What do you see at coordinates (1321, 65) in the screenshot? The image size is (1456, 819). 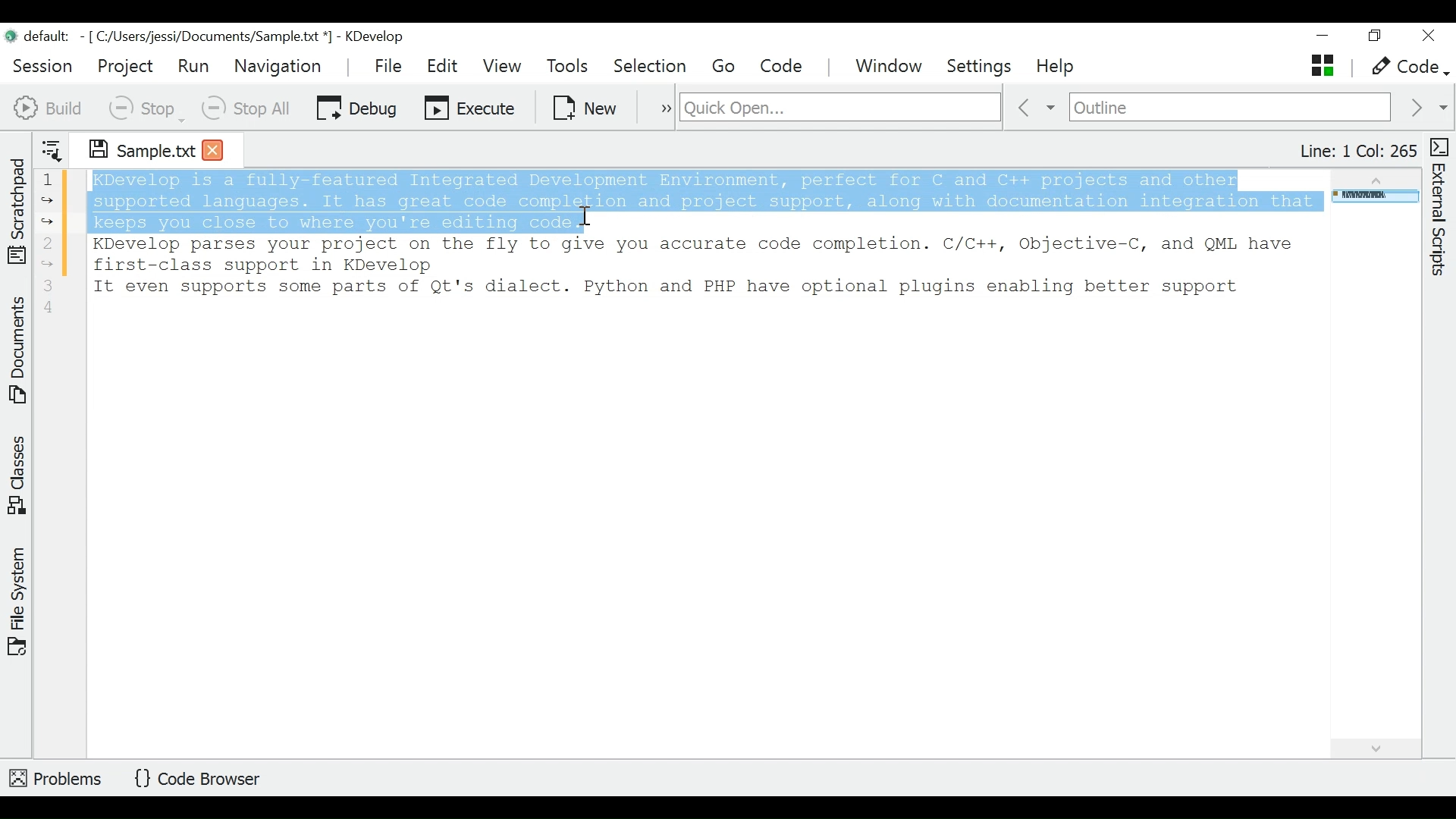 I see `Stack (Opens and activates the documet)` at bounding box center [1321, 65].